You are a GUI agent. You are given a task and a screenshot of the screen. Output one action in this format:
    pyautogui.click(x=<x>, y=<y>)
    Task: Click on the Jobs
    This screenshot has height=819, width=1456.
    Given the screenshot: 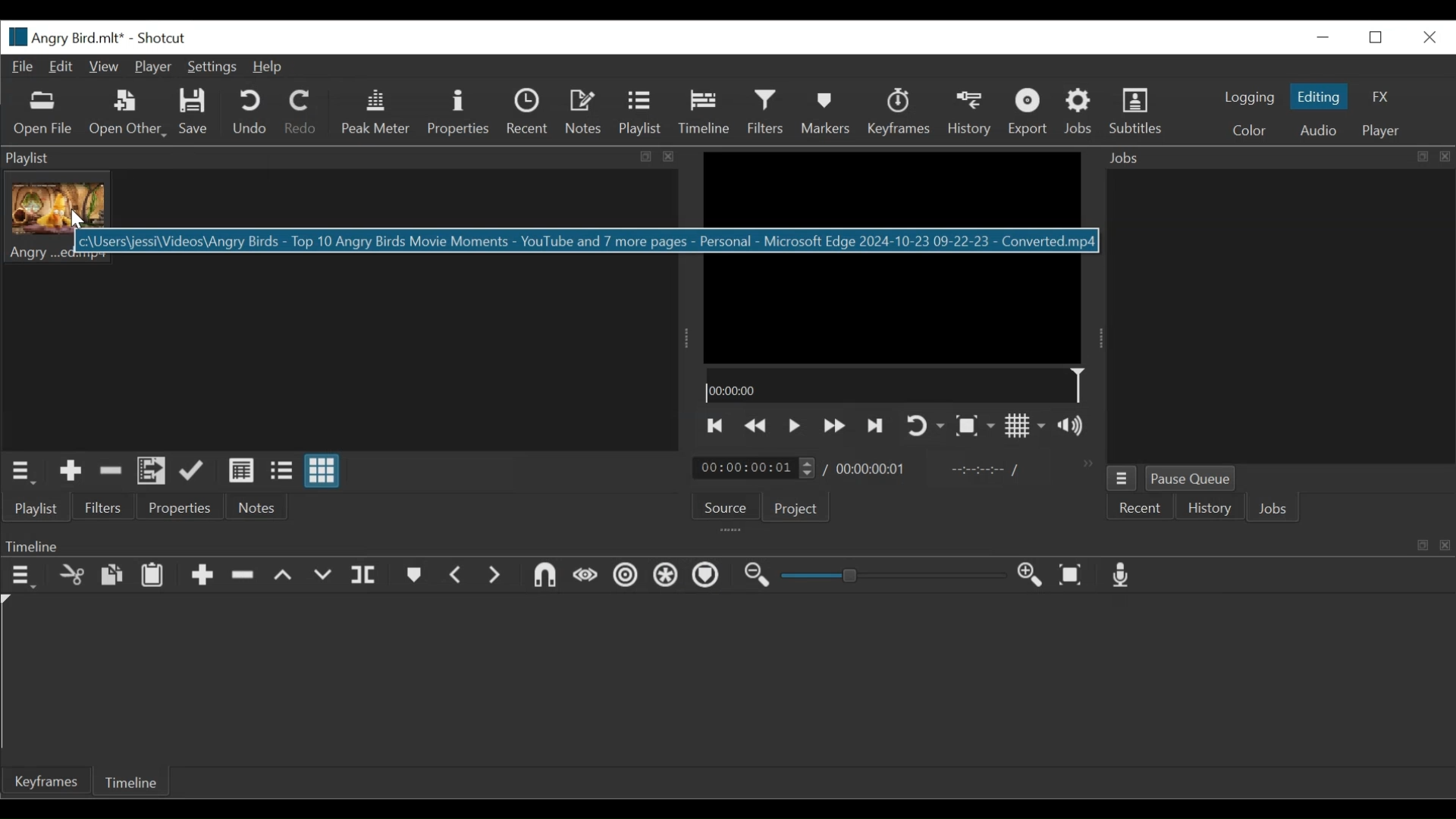 What is the action you would take?
    pyautogui.click(x=1278, y=156)
    